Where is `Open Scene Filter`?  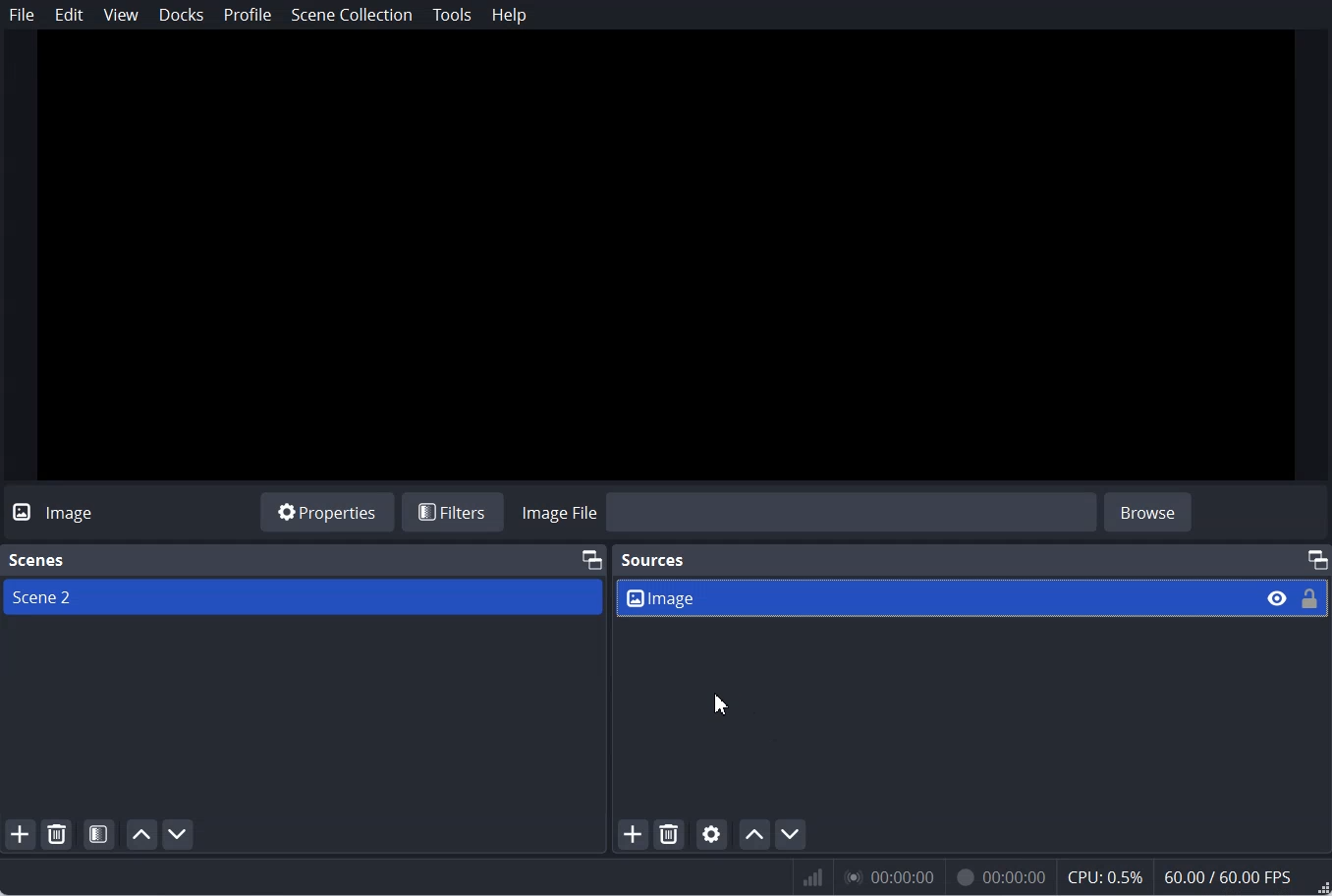
Open Scene Filter is located at coordinates (99, 834).